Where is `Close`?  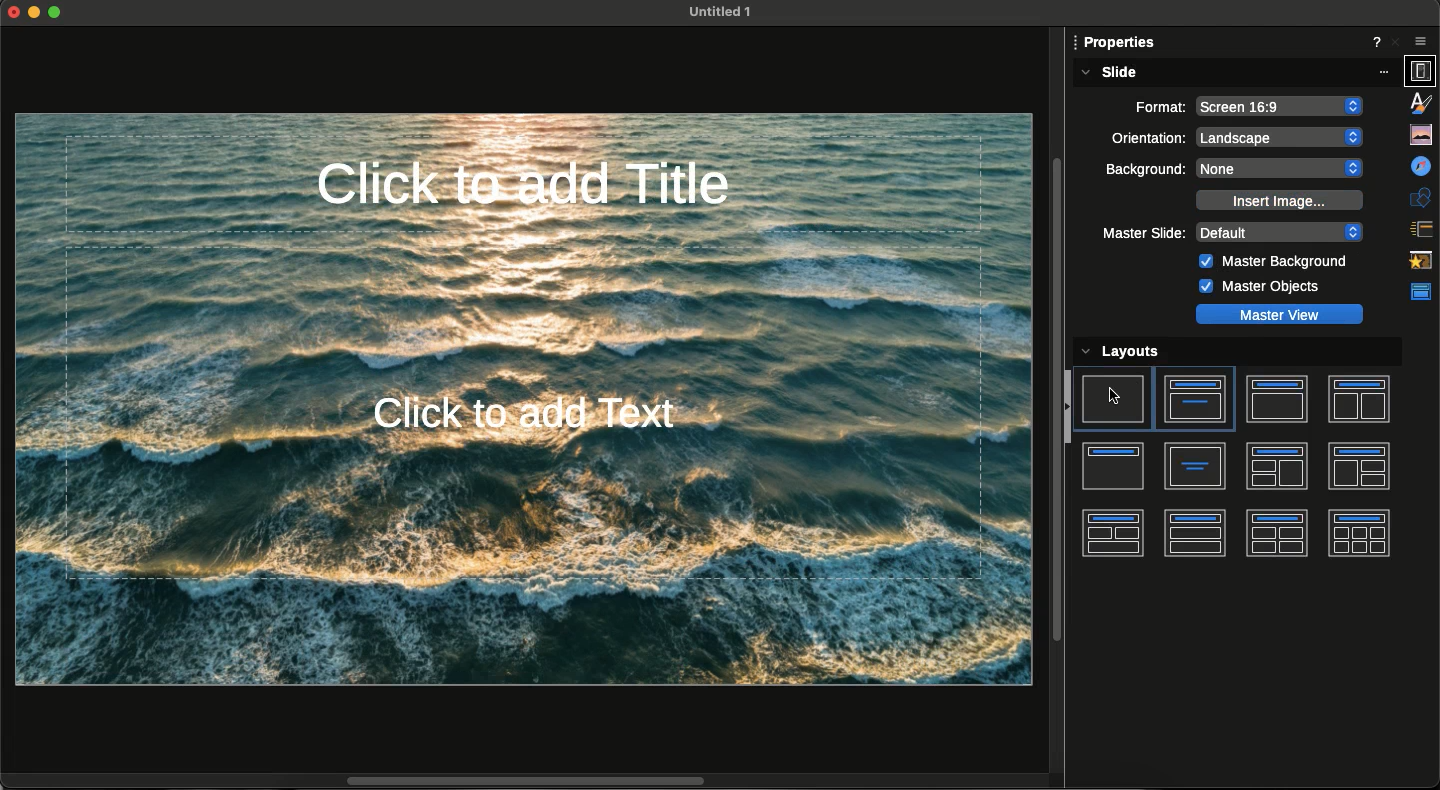
Close is located at coordinates (1397, 43).